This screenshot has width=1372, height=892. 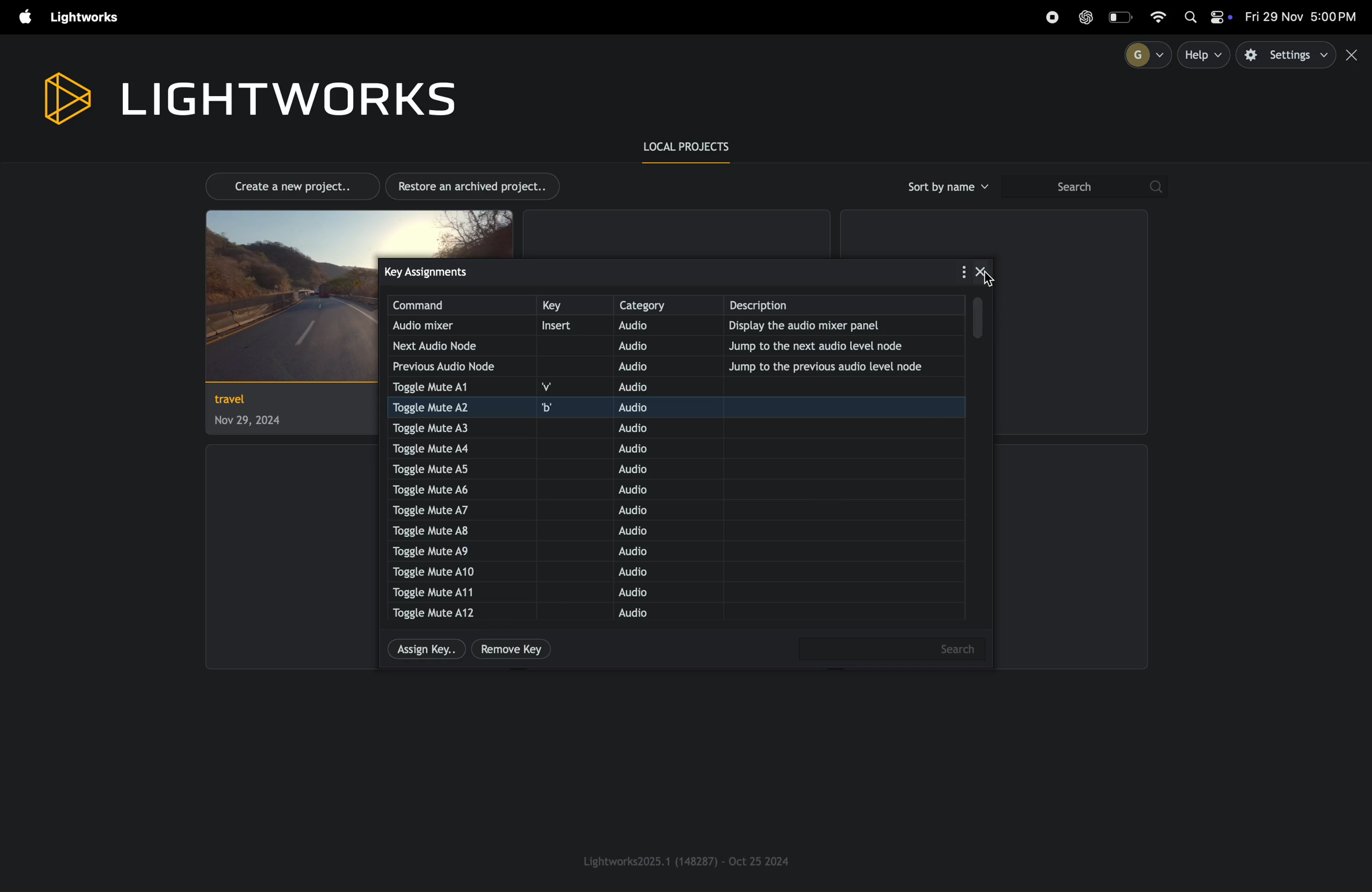 What do you see at coordinates (1143, 54) in the screenshot?
I see `profile` at bounding box center [1143, 54].